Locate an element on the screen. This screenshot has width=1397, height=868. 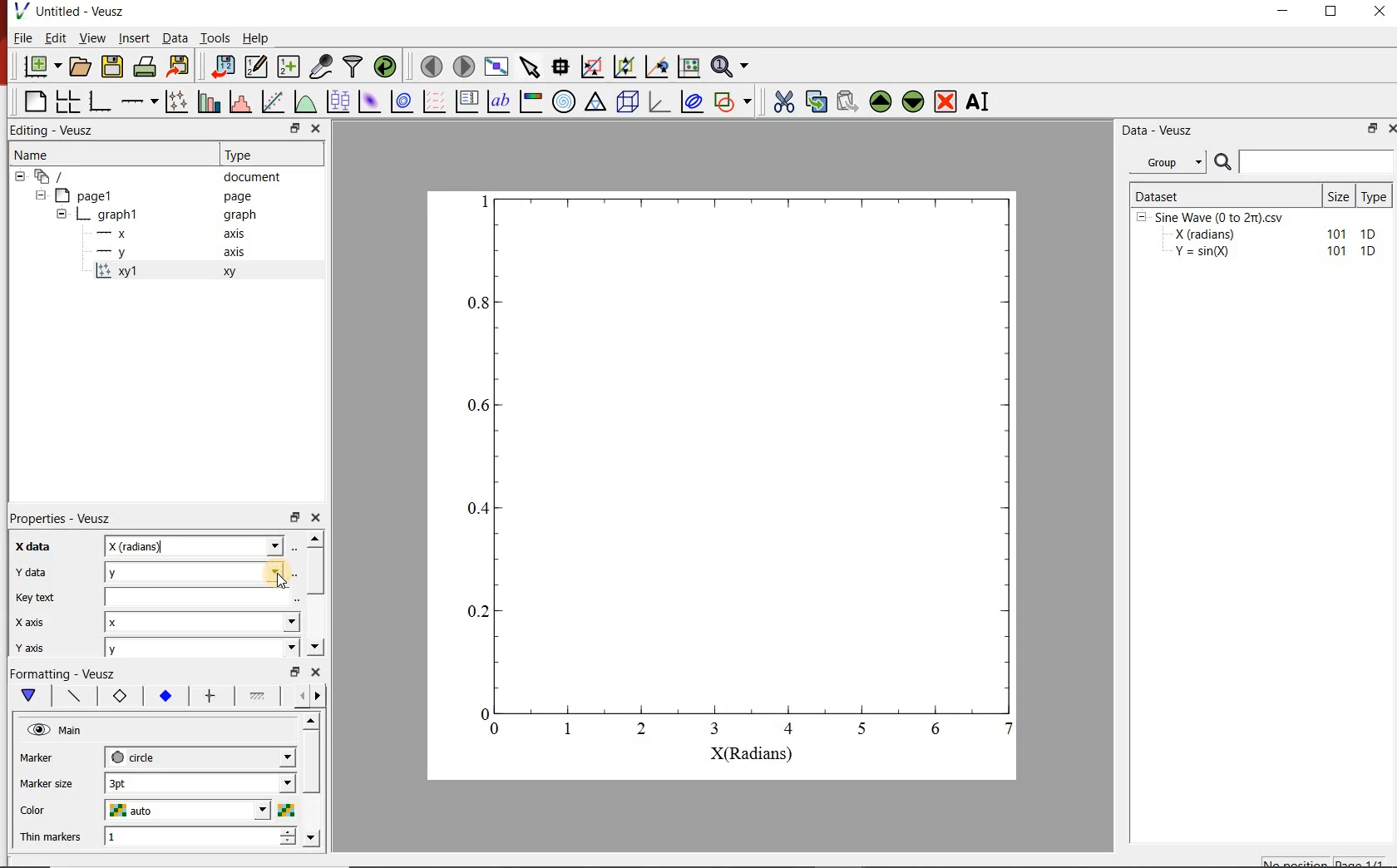
new document is located at coordinates (42, 67).